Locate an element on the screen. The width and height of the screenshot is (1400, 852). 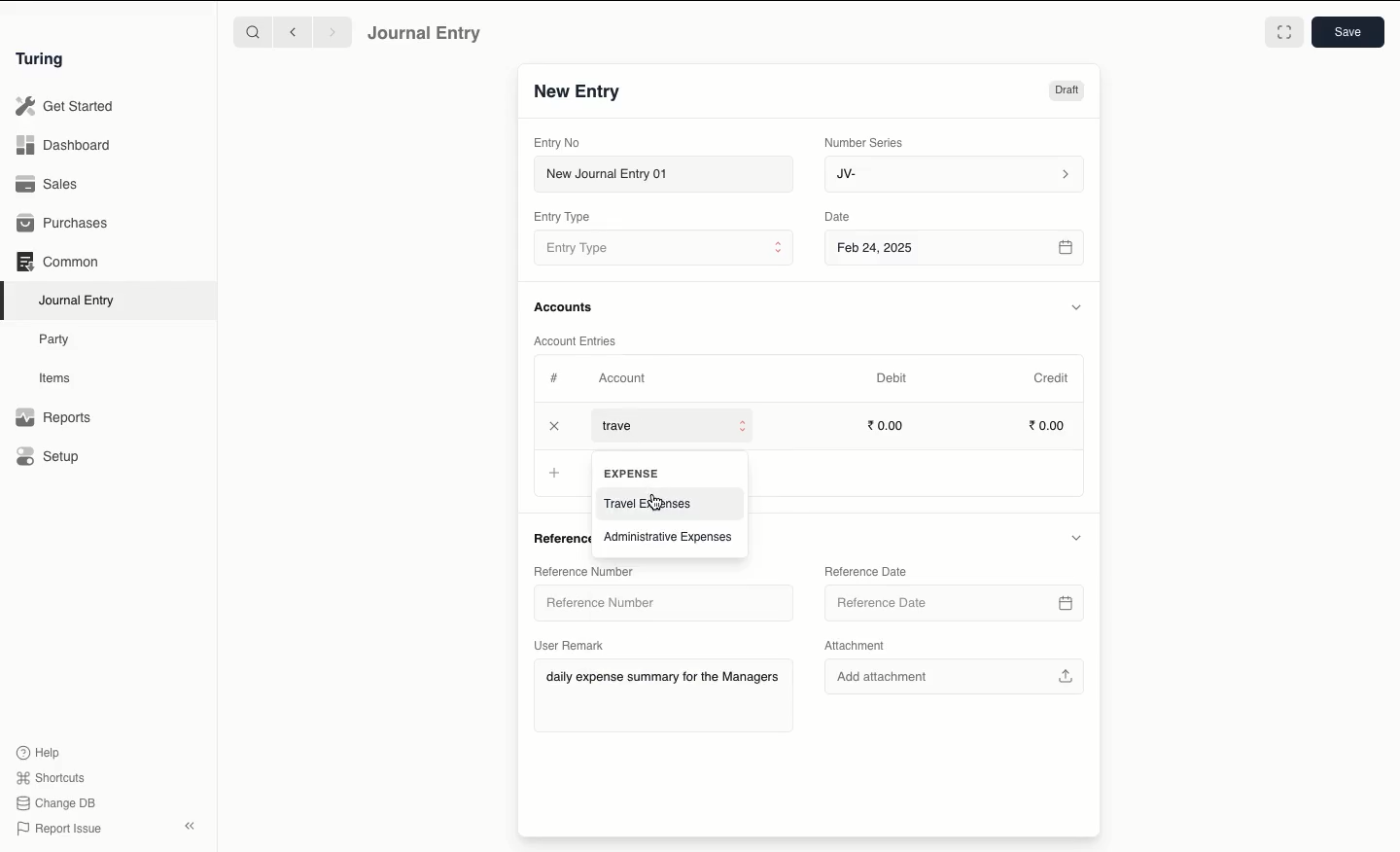
Journal Entry is located at coordinates (78, 302).